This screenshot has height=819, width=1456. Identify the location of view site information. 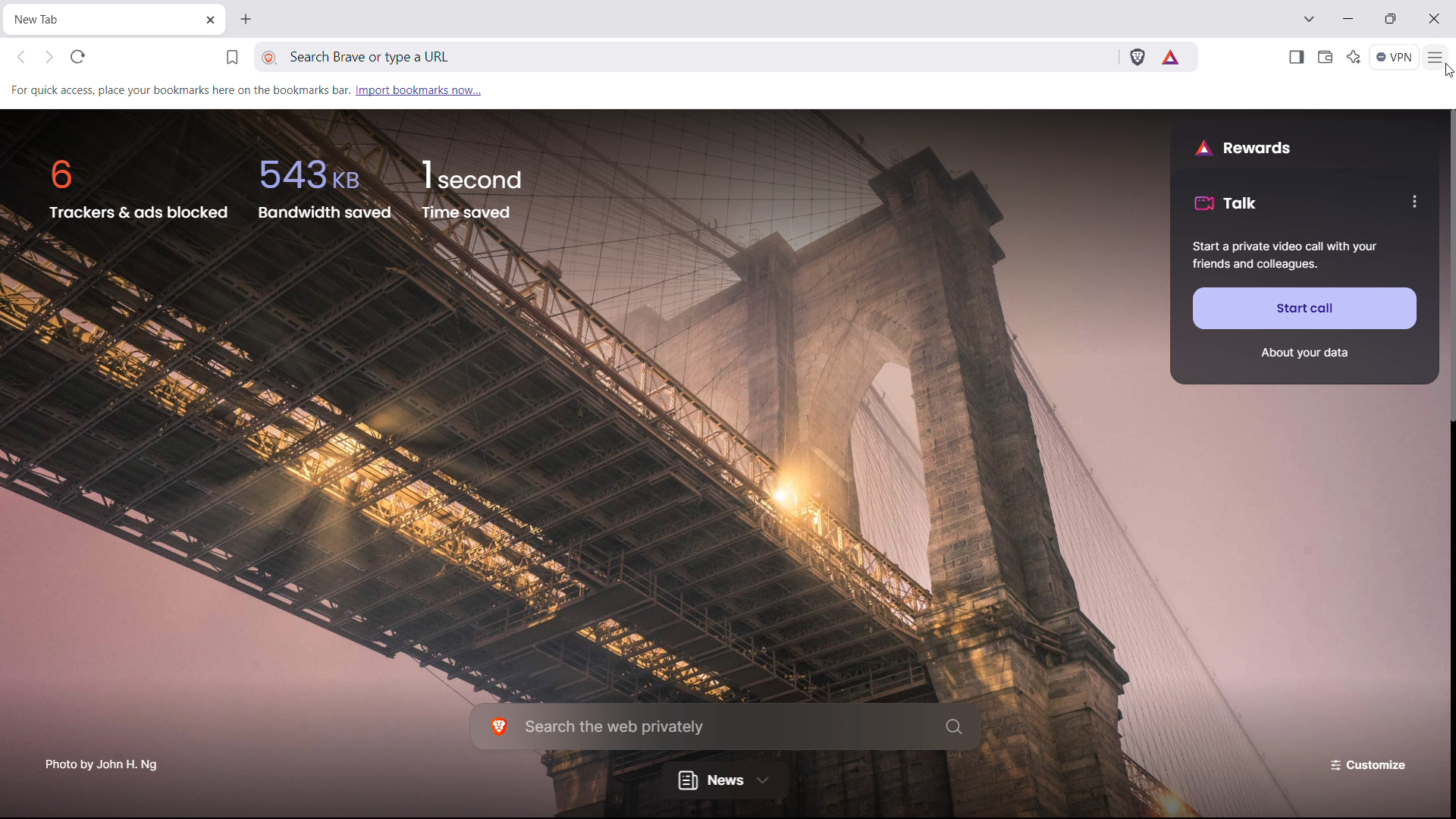
(269, 57).